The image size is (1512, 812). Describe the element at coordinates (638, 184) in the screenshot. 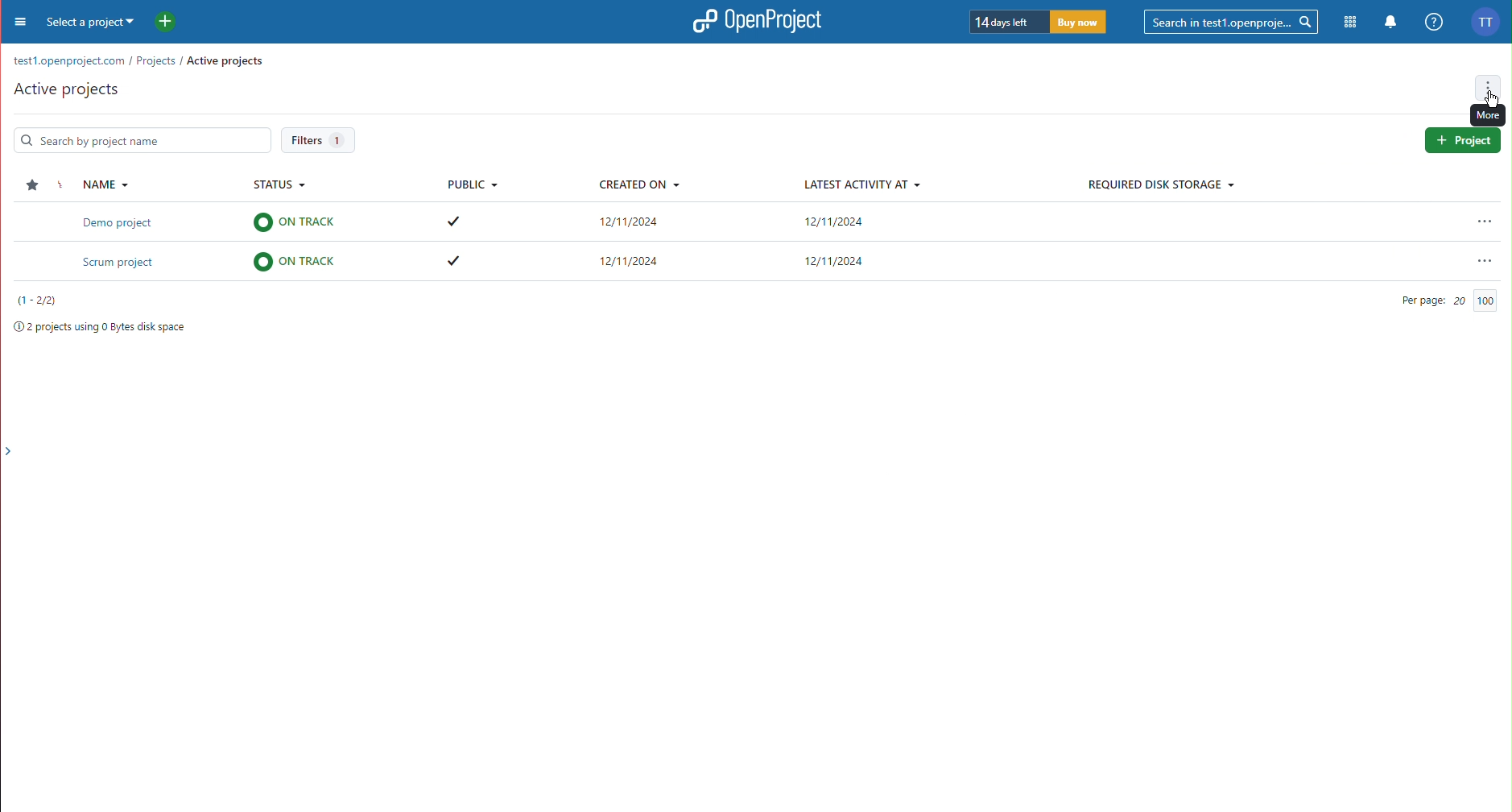

I see `Created On` at that location.